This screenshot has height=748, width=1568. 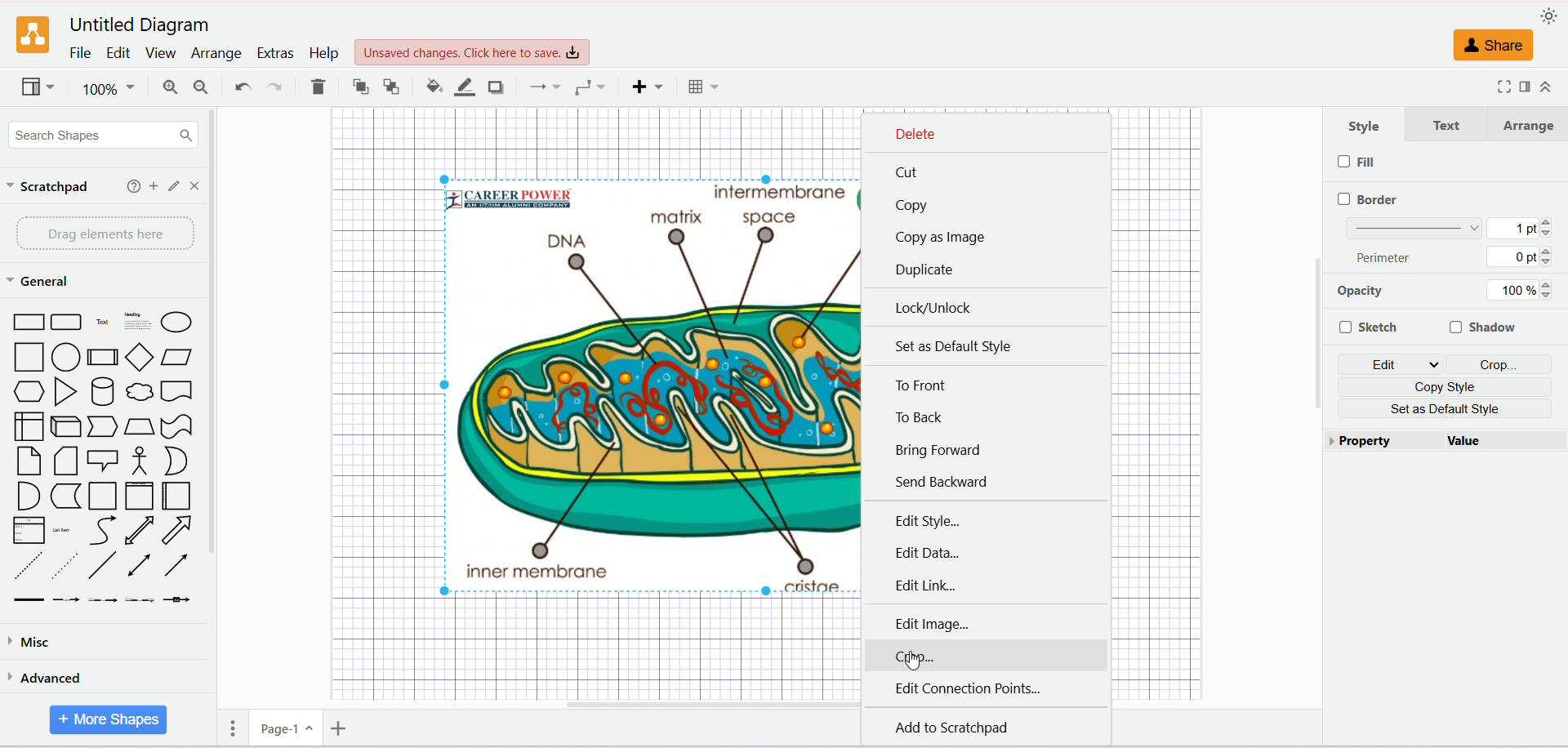 I want to click on copy, so click(x=922, y=207).